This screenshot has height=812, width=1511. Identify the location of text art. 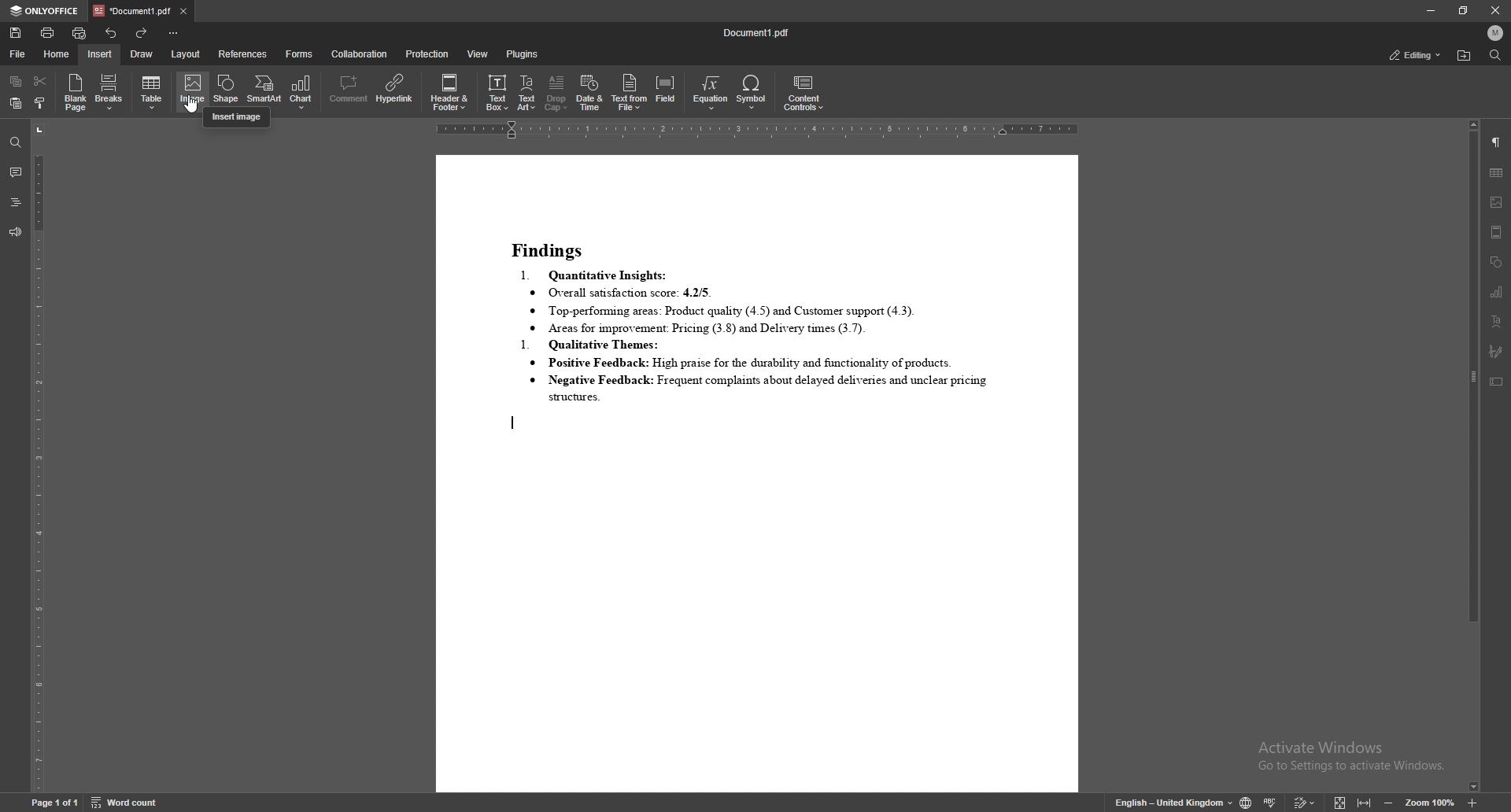
(1497, 321).